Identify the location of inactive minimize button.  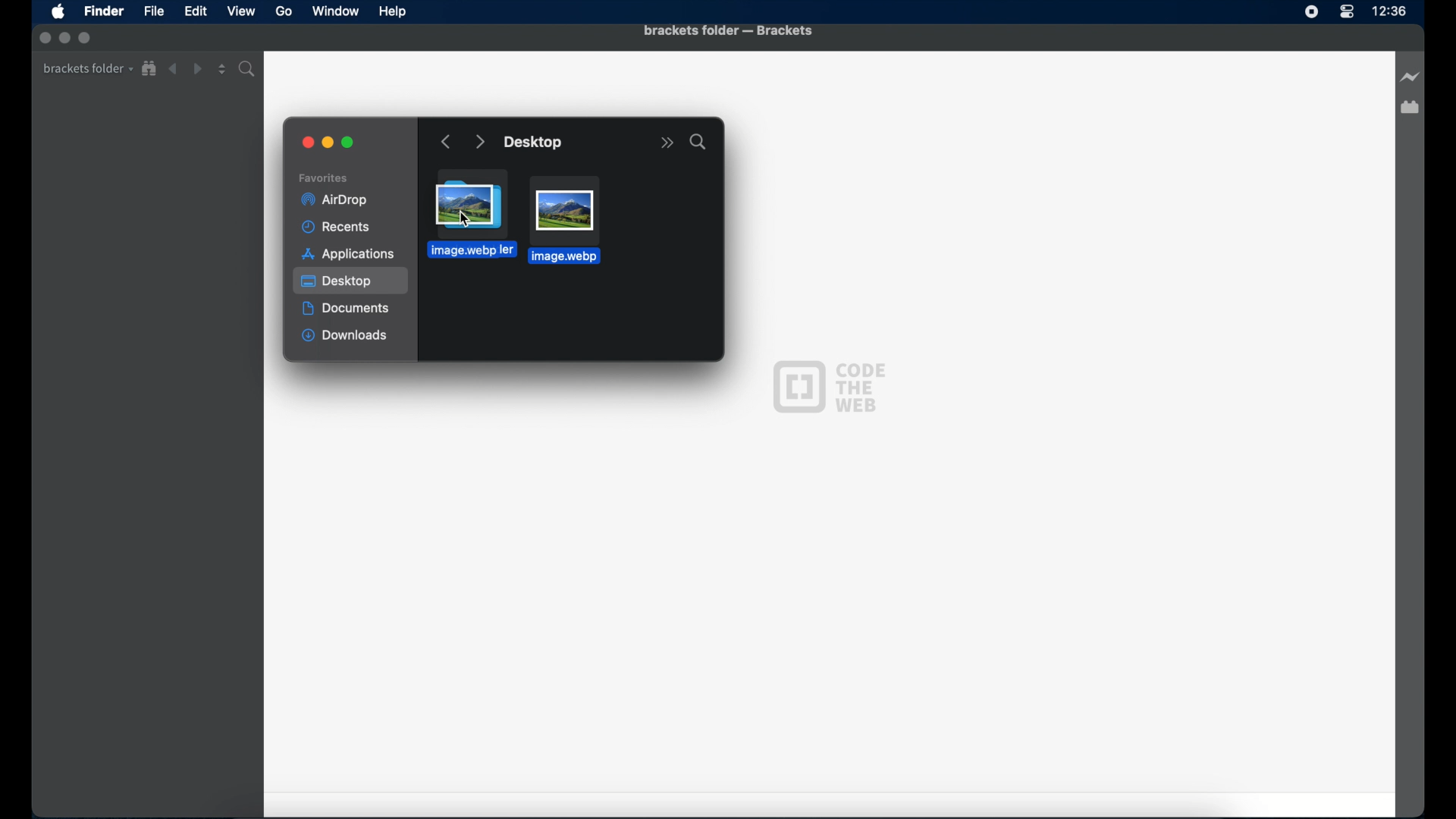
(64, 39).